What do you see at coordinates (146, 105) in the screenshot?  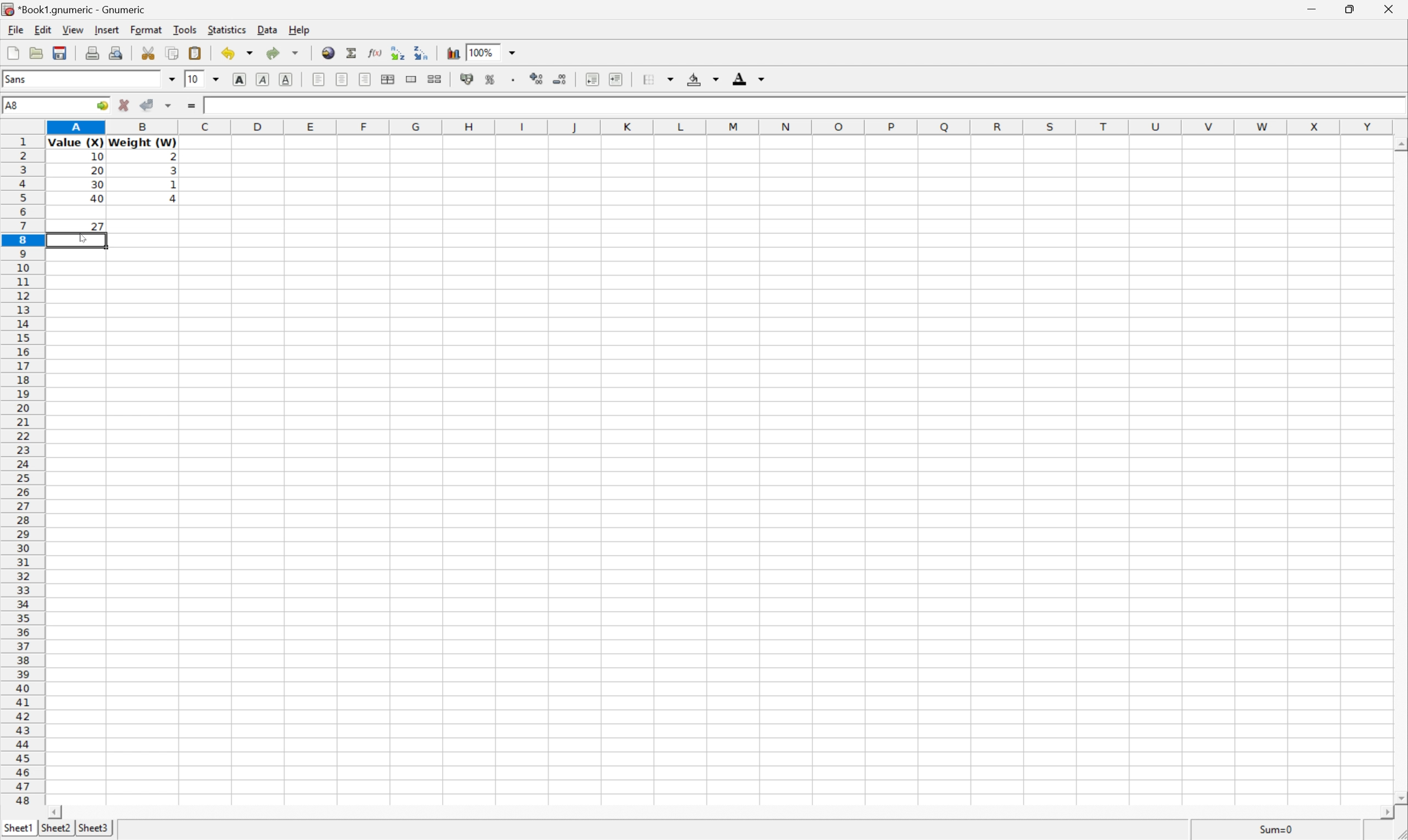 I see `Accept changes` at bounding box center [146, 105].